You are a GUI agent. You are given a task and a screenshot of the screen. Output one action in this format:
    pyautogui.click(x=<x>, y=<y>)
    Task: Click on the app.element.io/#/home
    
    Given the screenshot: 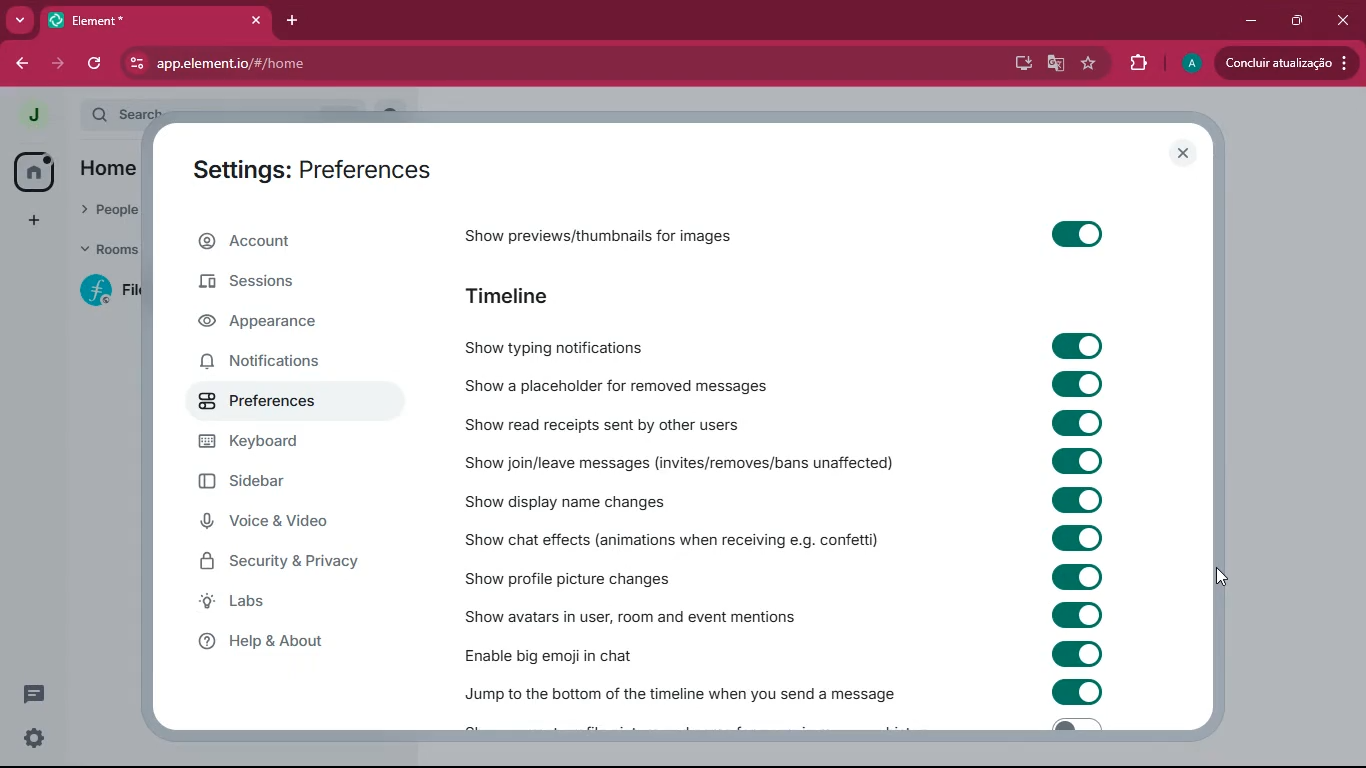 What is the action you would take?
    pyautogui.click(x=495, y=65)
    